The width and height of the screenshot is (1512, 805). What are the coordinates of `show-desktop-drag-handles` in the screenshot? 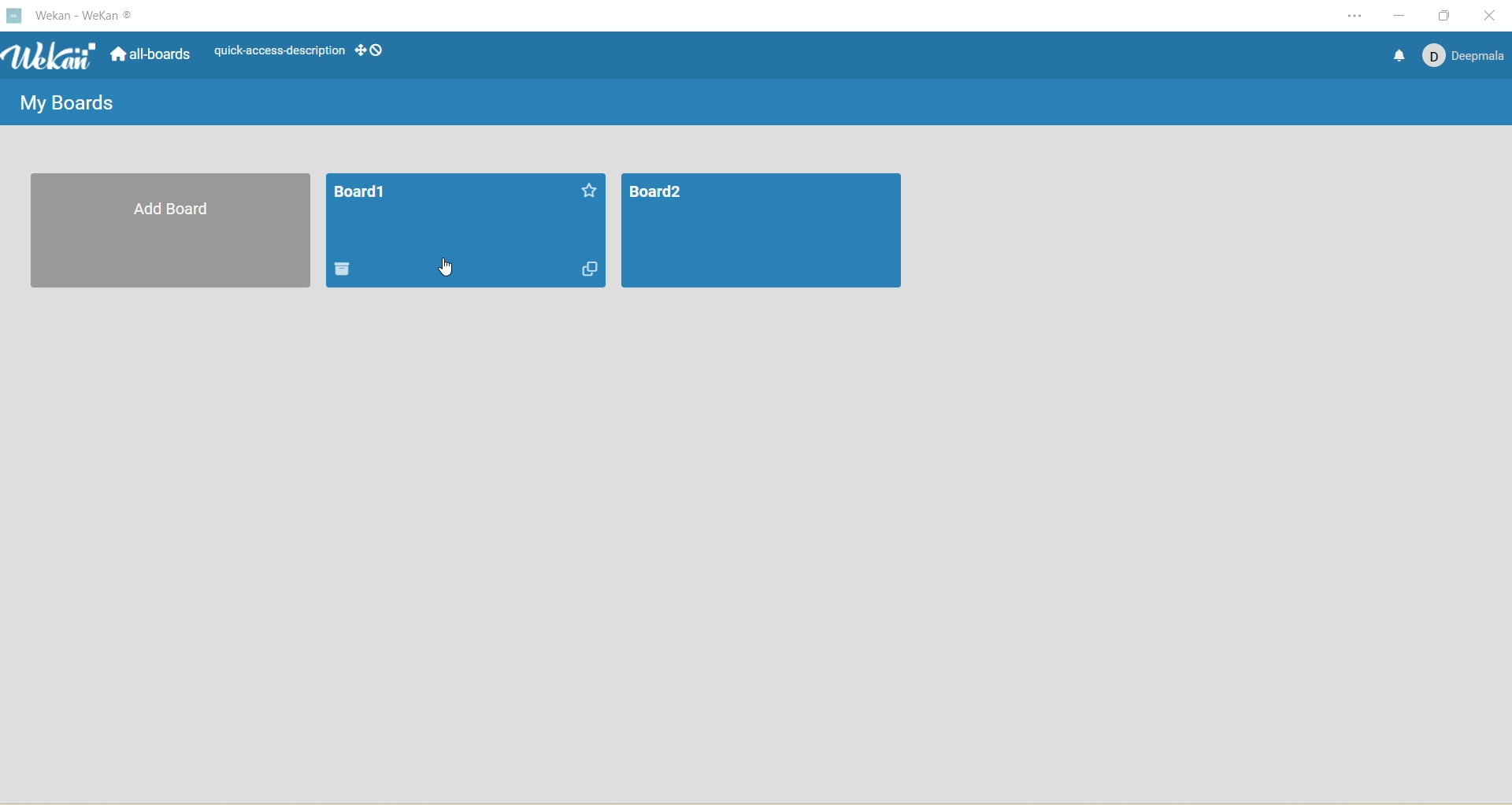 It's located at (369, 50).